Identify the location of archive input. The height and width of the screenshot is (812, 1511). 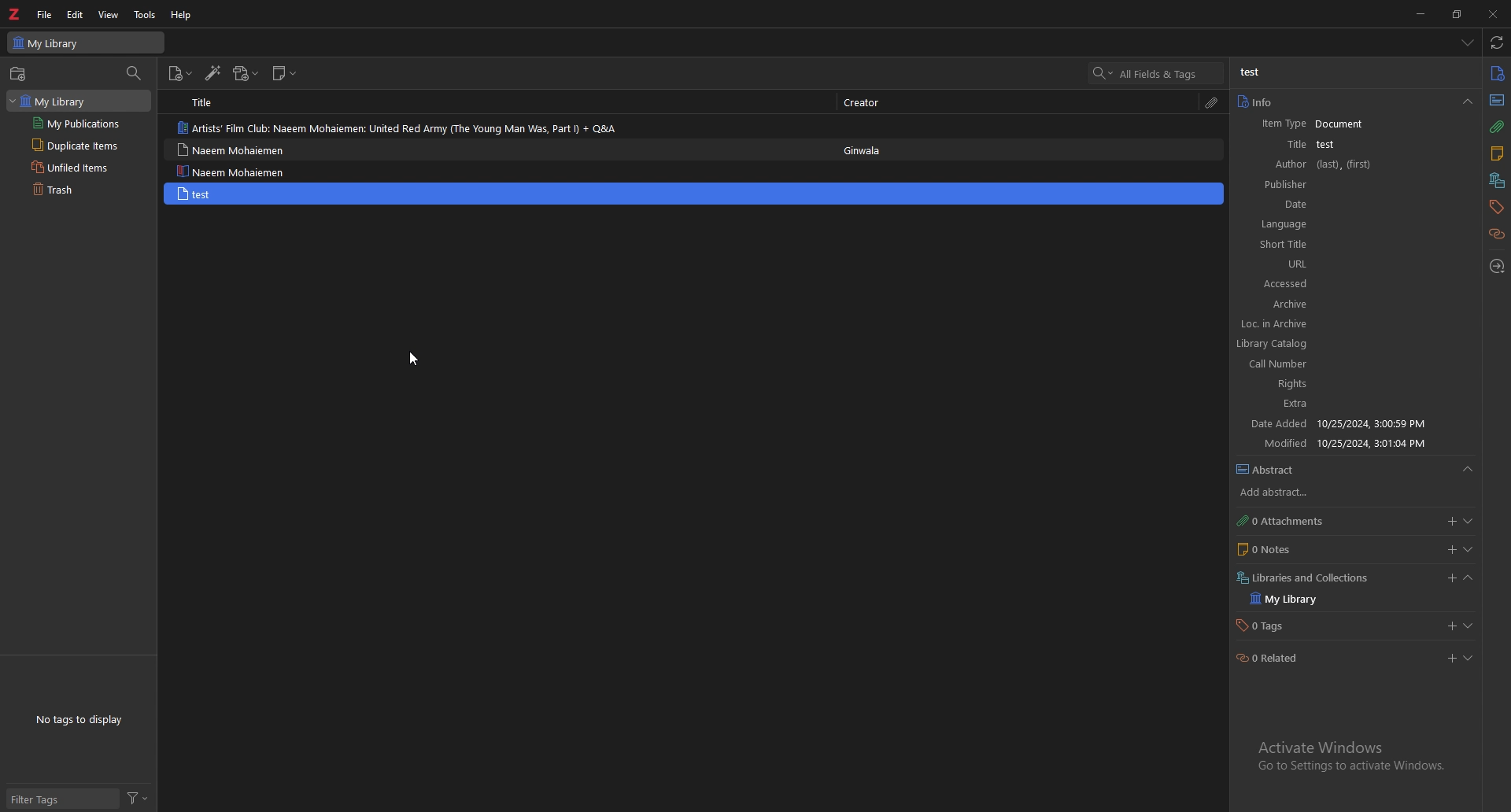
(1369, 303).